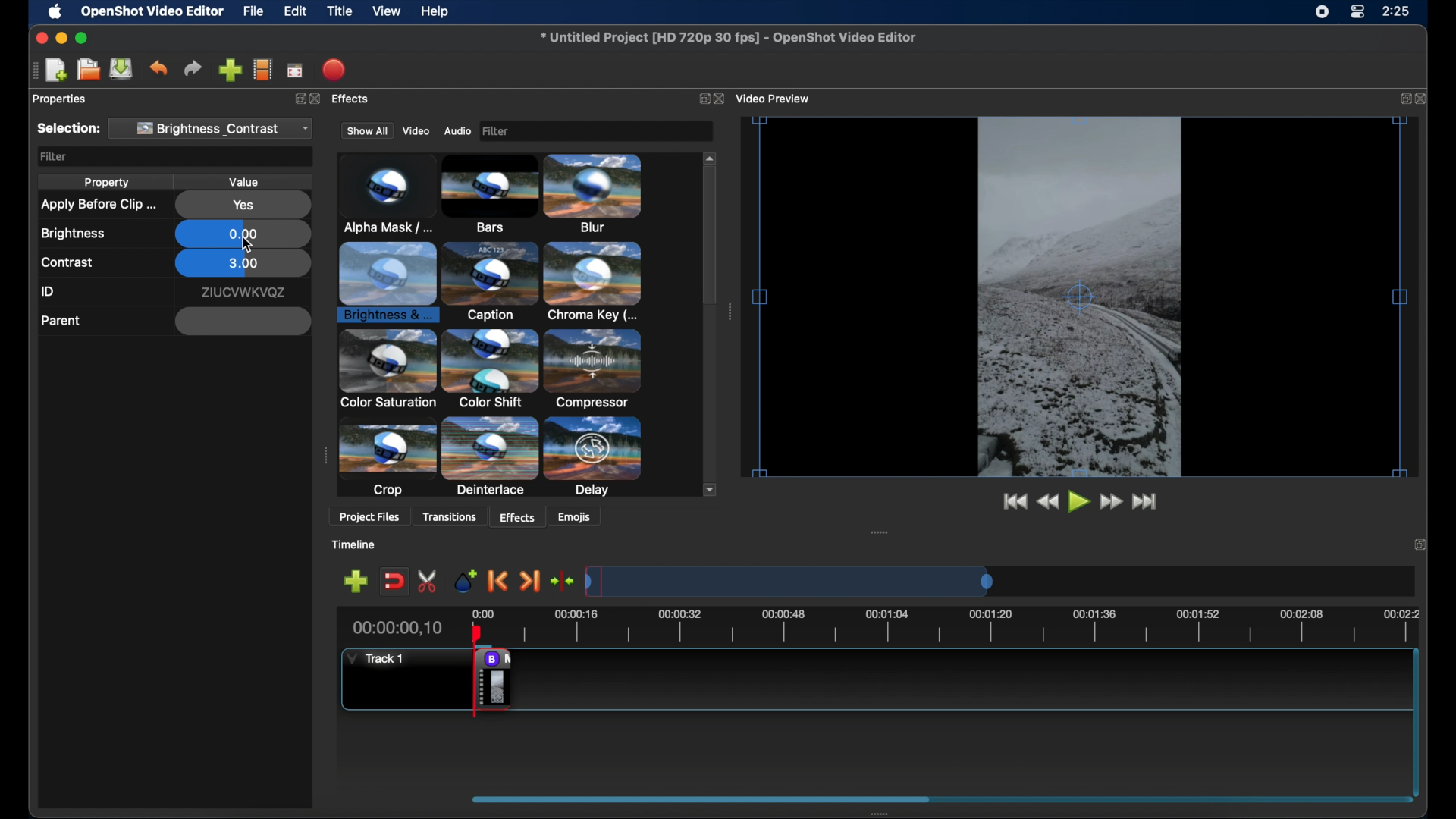 The image size is (1456, 819). Describe the element at coordinates (496, 580) in the screenshot. I see `previous marker` at that location.